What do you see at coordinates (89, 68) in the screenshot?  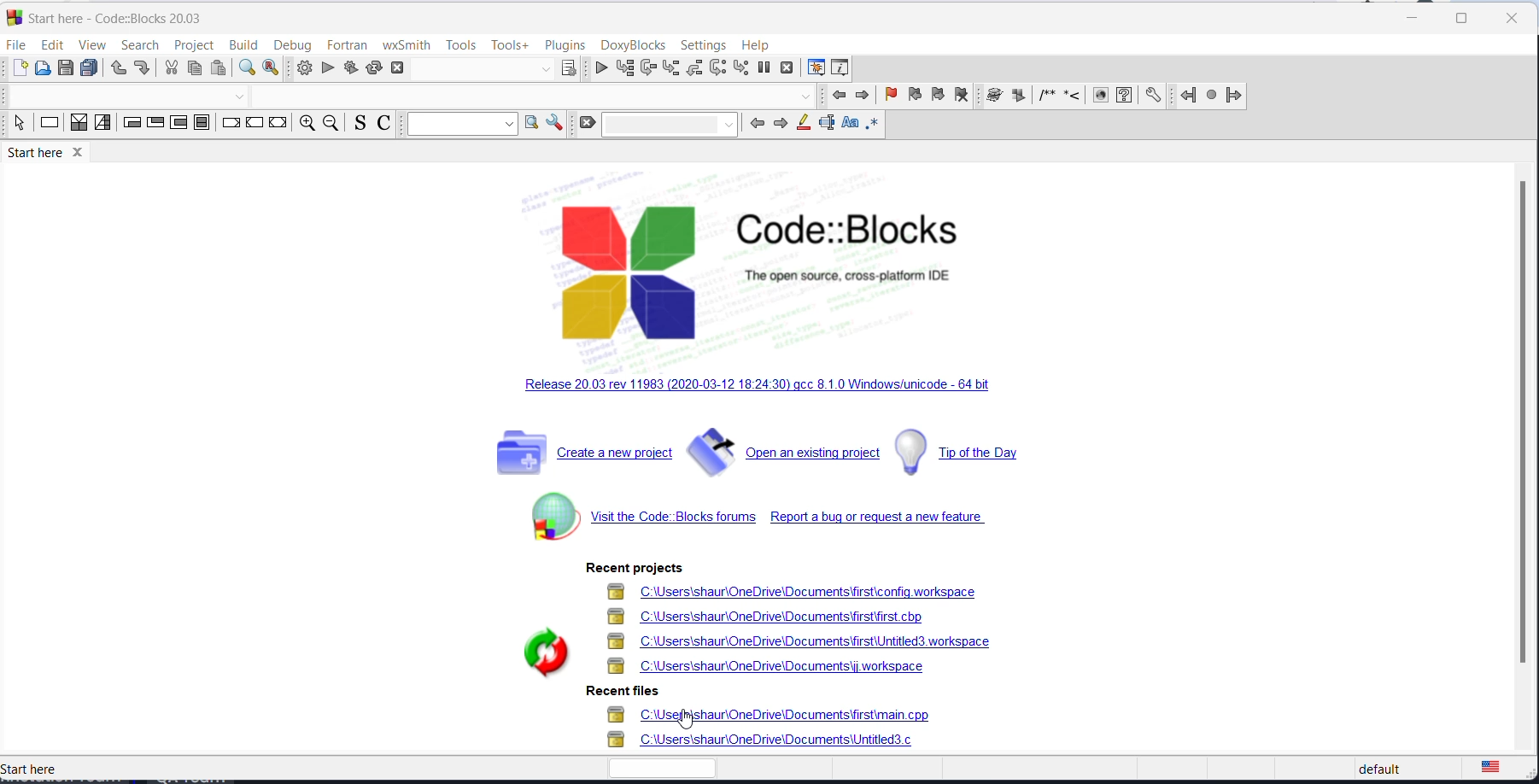 I see `SAVE ALL` at bounding box center [89, 68].